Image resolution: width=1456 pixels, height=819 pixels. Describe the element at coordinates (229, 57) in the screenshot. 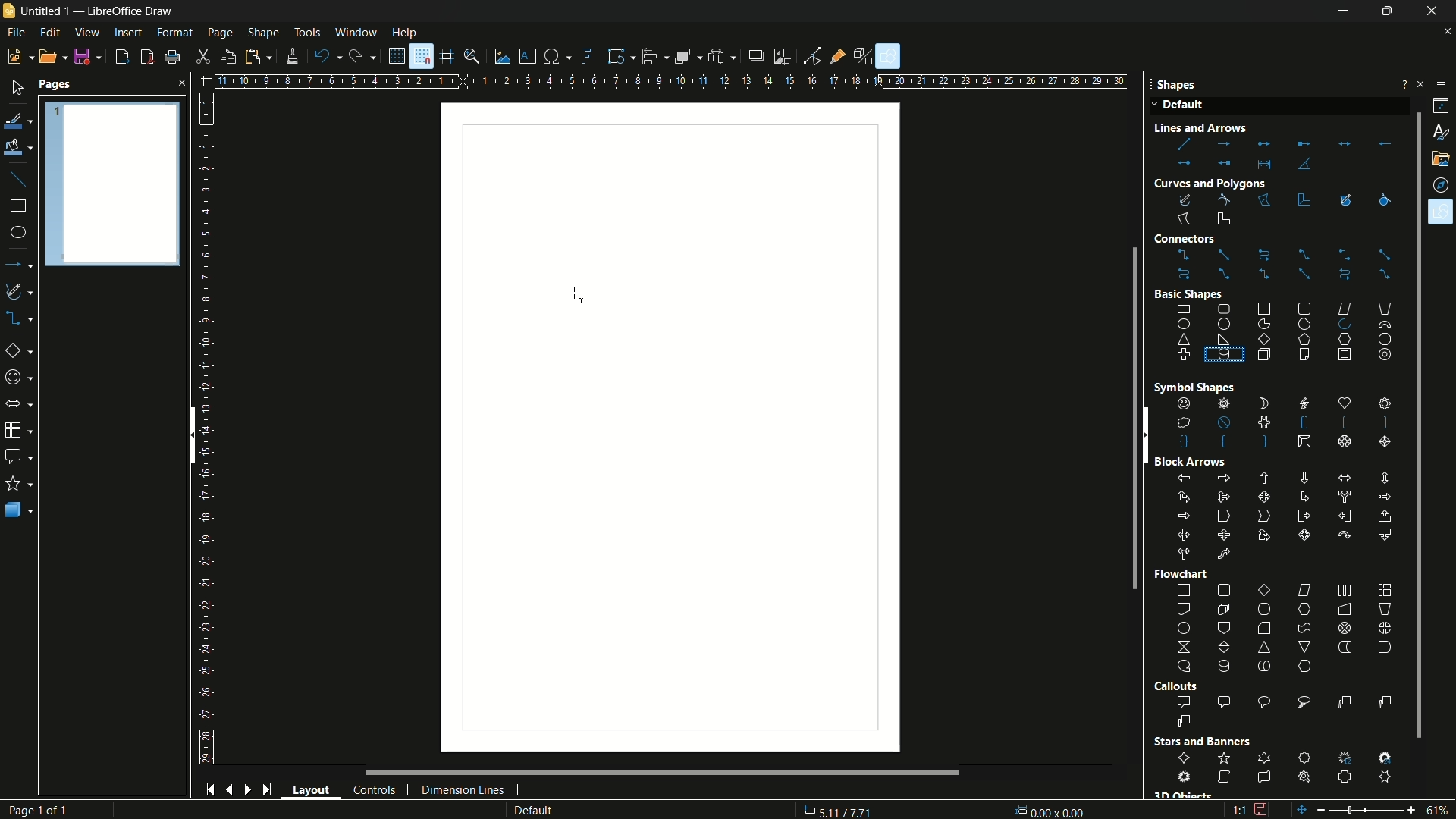

I see `copy` at that location.